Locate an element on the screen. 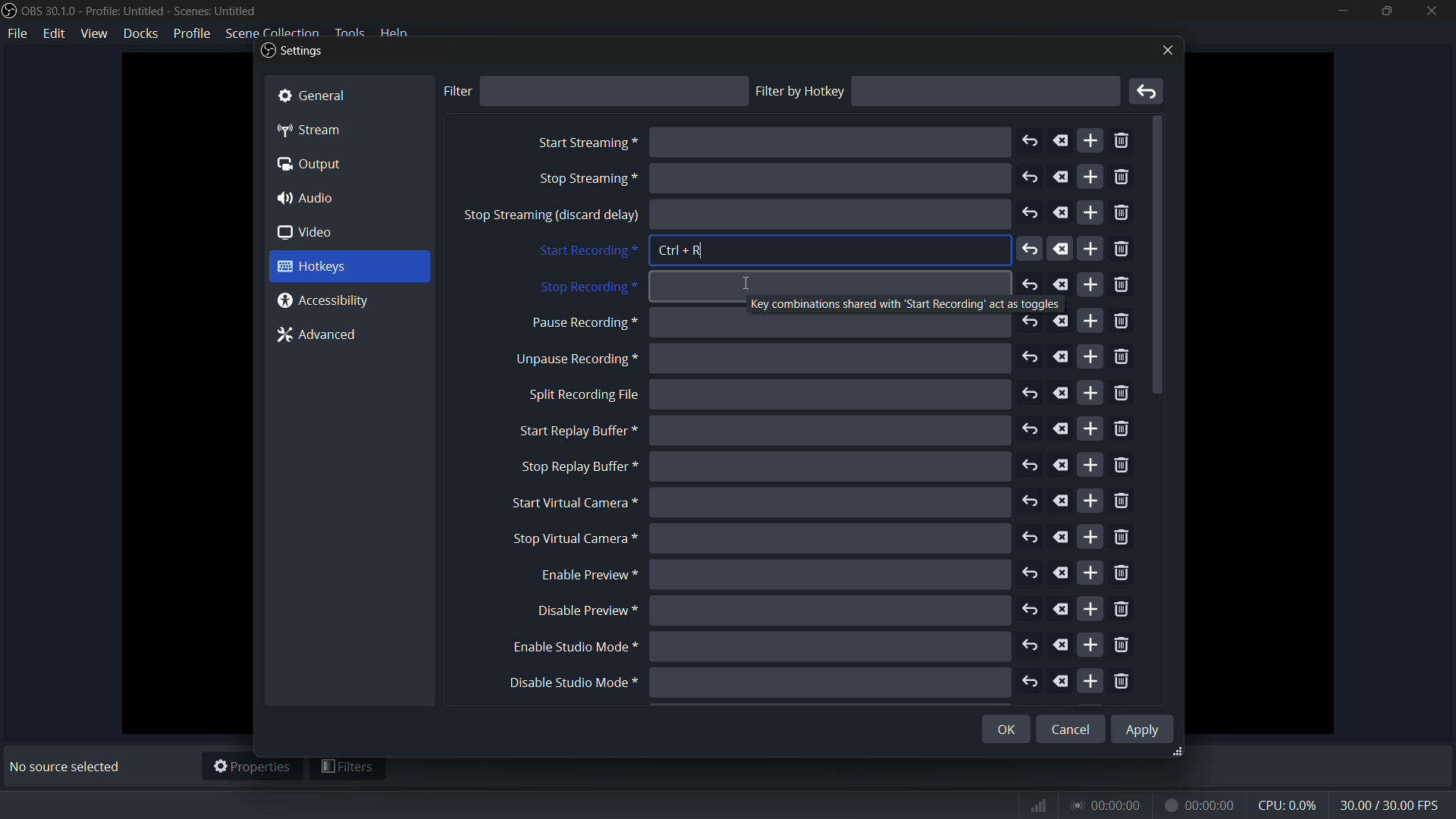 The image size is (1456, 819). Key combinations shared with ‘Start Recording’ act as toggles is located at coordinates (904, 303).